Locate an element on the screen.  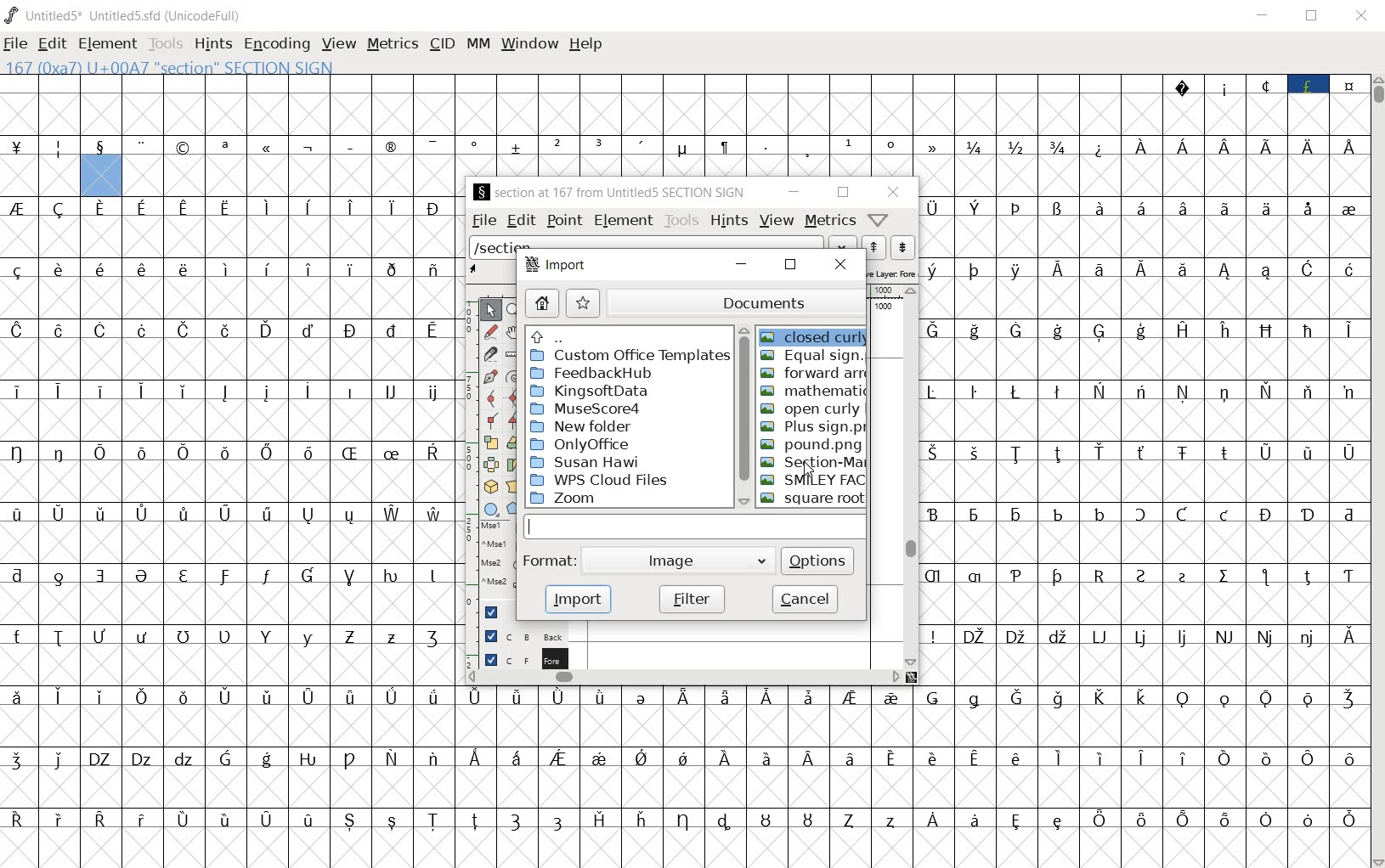
 is located at coordinates (232, 388).